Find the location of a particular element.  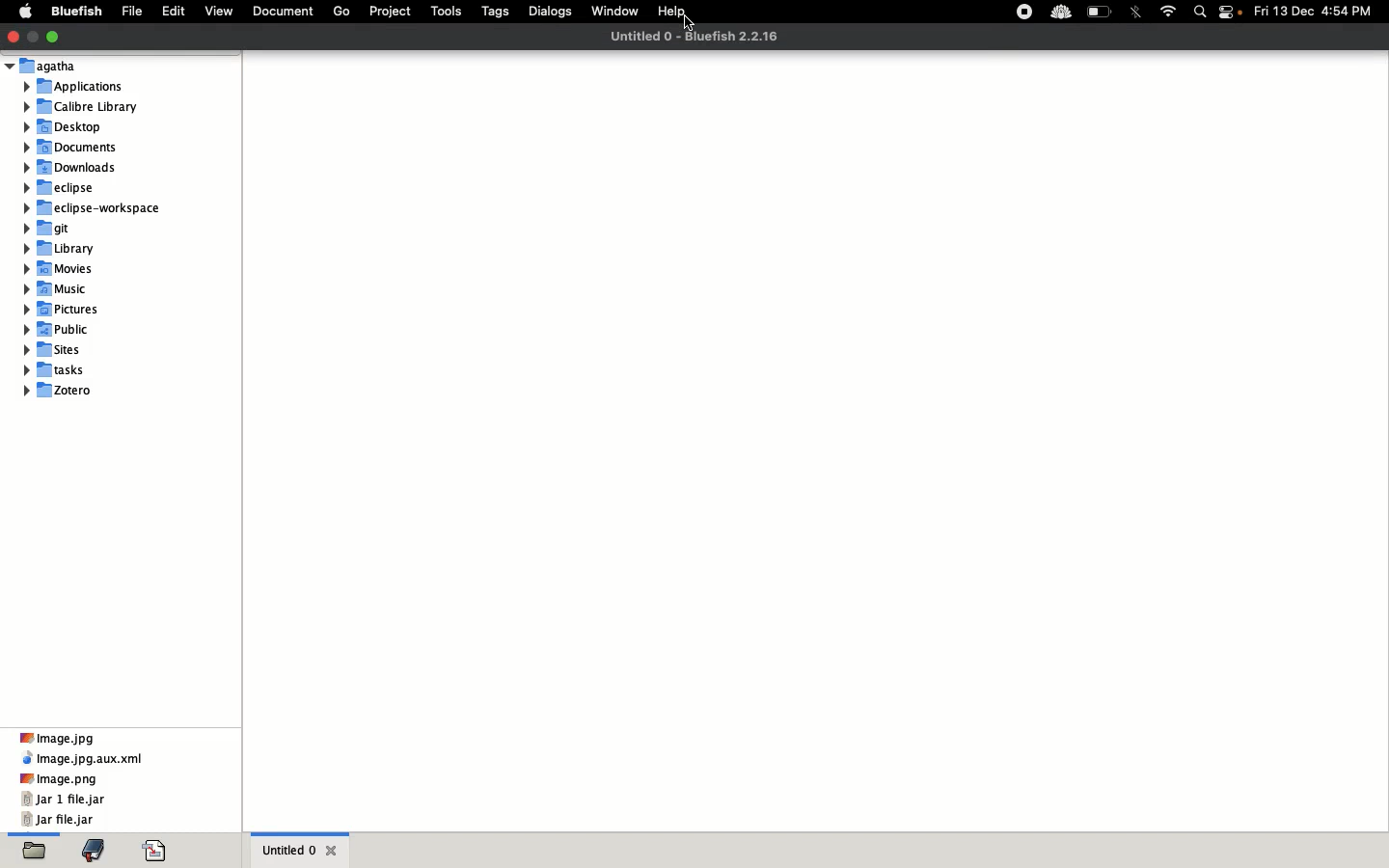

git is located at coordinates (55, 229).